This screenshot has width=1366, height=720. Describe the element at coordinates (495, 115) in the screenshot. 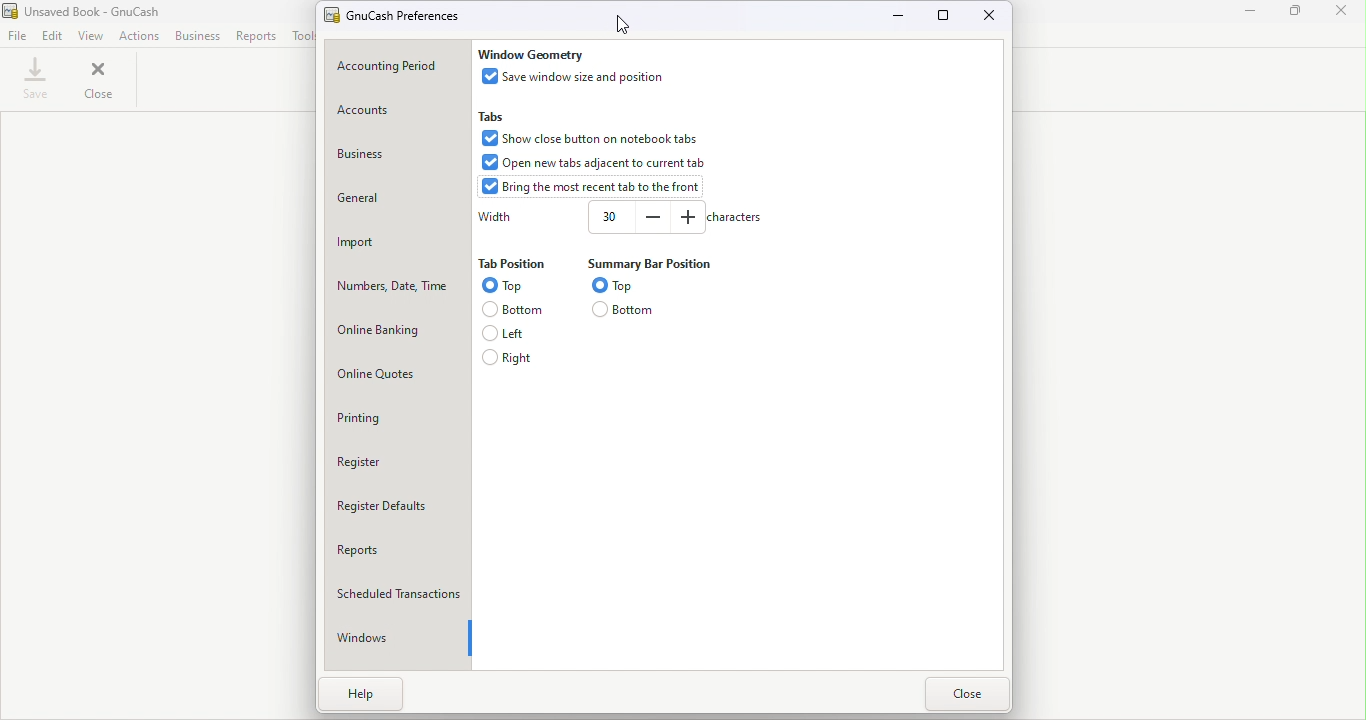

I see `Tabs` at that location.